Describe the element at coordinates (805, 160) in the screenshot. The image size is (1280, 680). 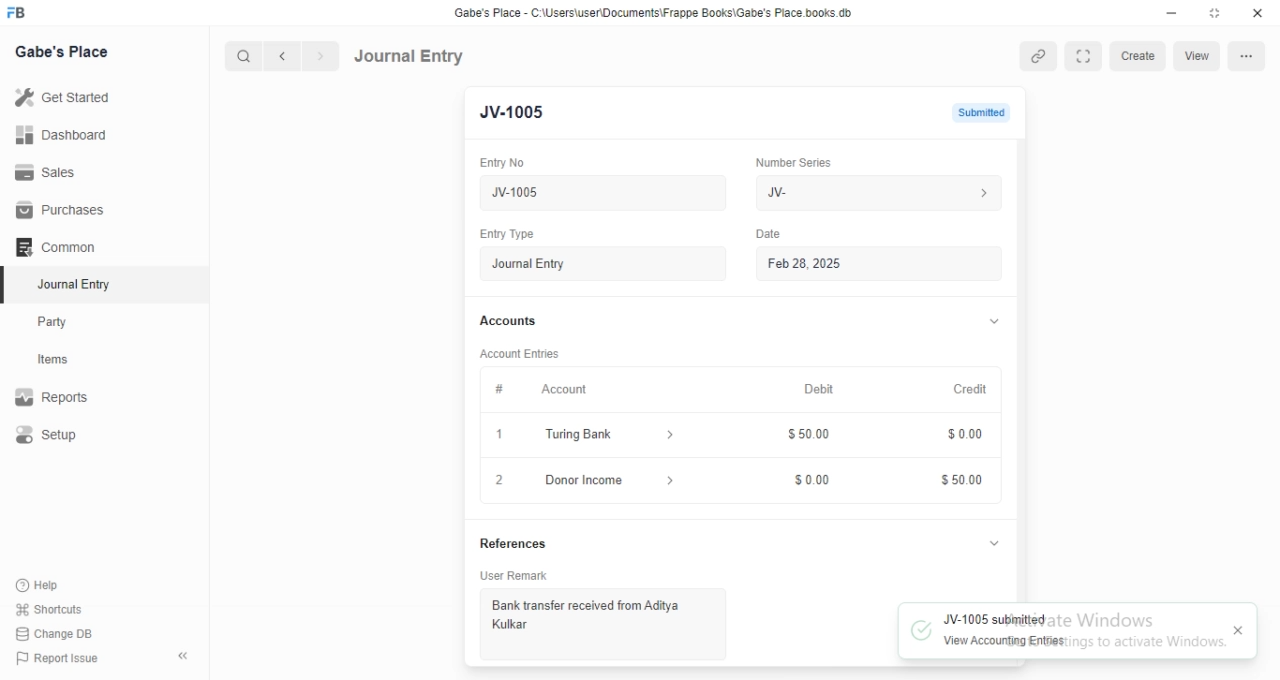
I see `‘Number Series` at that location.